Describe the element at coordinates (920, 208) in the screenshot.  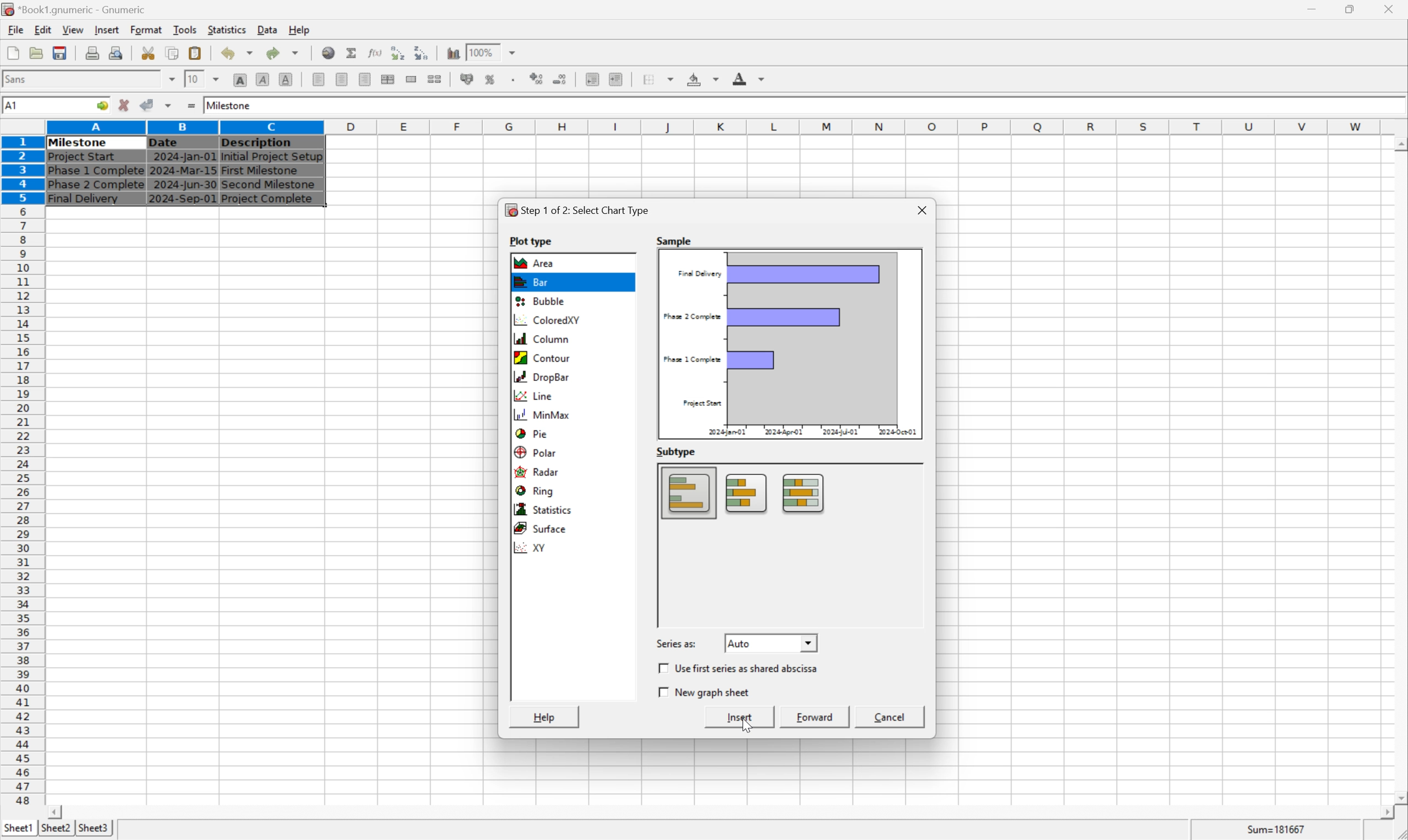
I see `close` at that location.